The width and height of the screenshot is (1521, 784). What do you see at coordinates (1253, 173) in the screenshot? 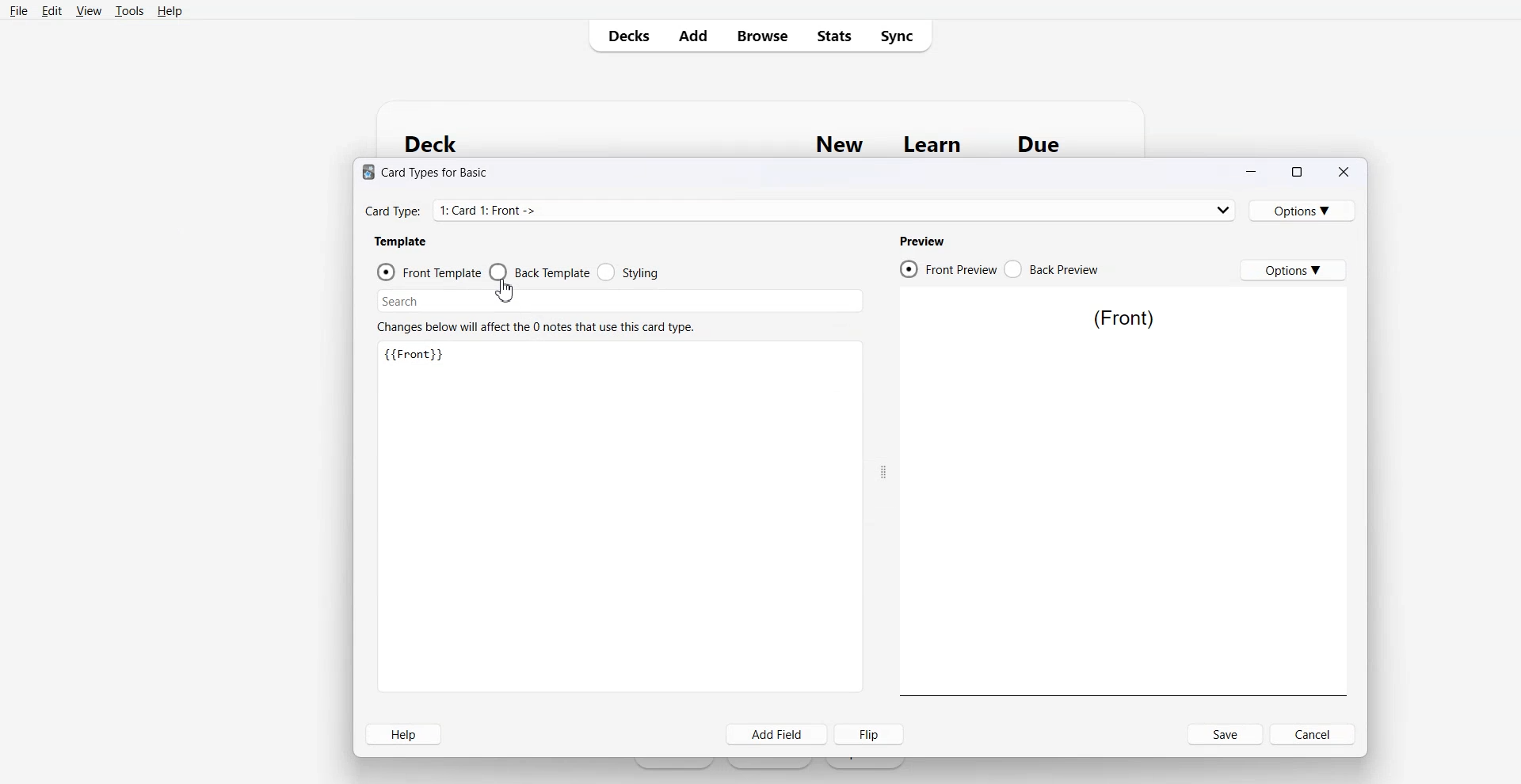
I see `Minimize` at bounding box center [1253, 173].